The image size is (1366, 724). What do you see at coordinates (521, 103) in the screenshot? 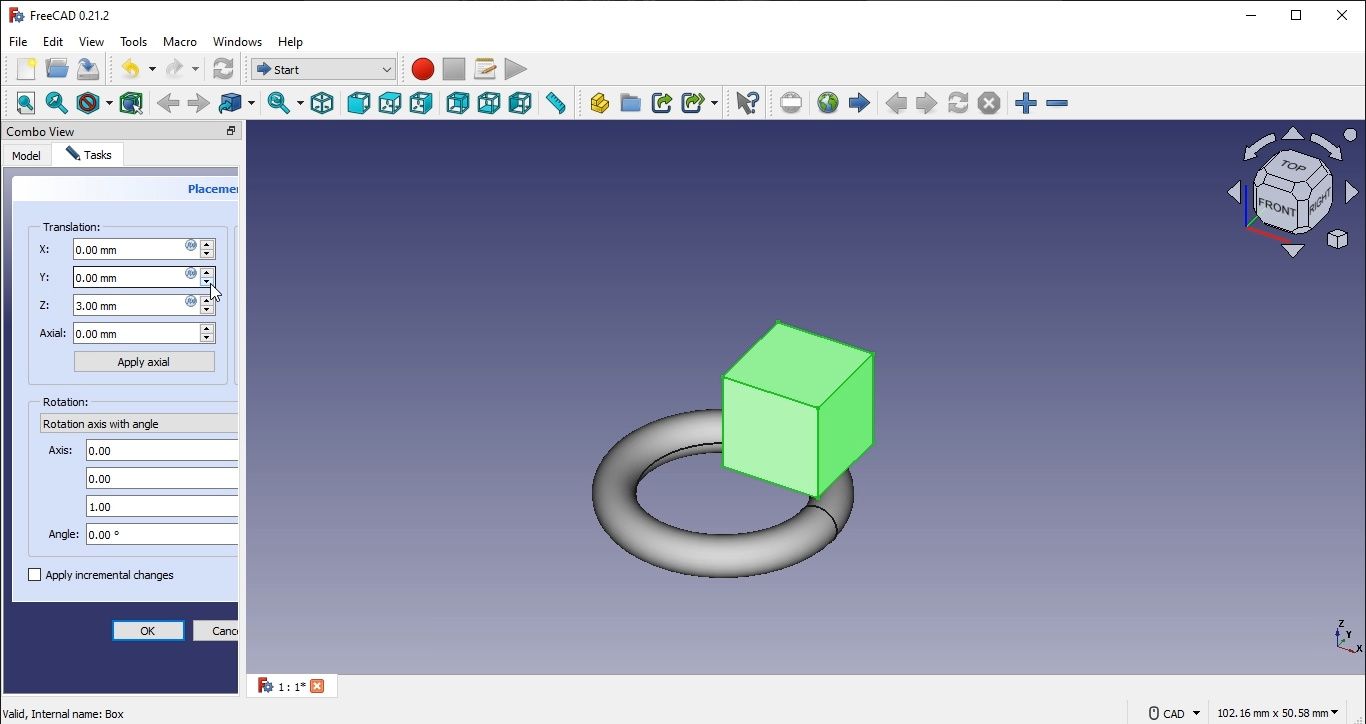
I see `left` at bounding box center [521, 103].